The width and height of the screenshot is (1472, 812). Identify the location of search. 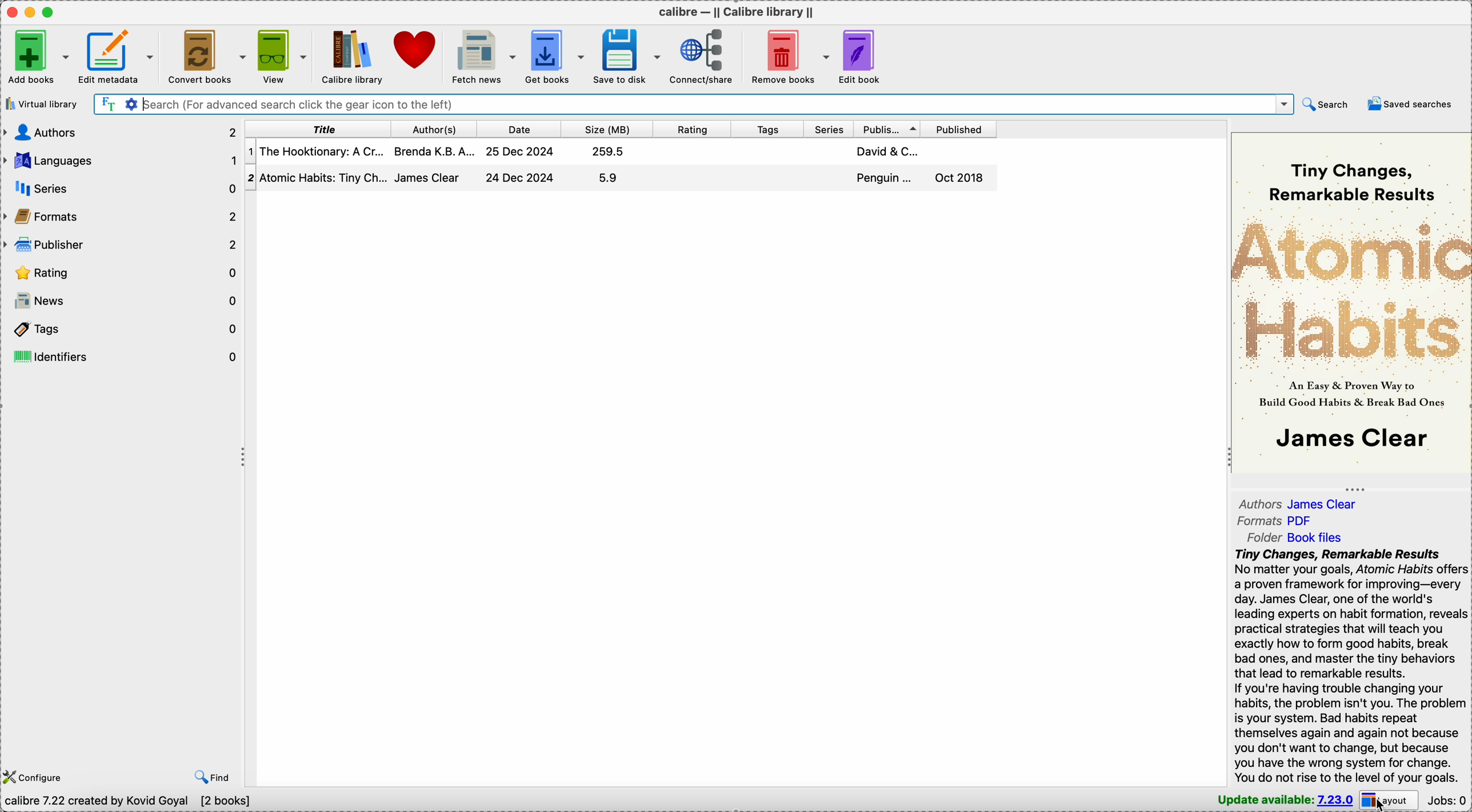
(1324, 105).